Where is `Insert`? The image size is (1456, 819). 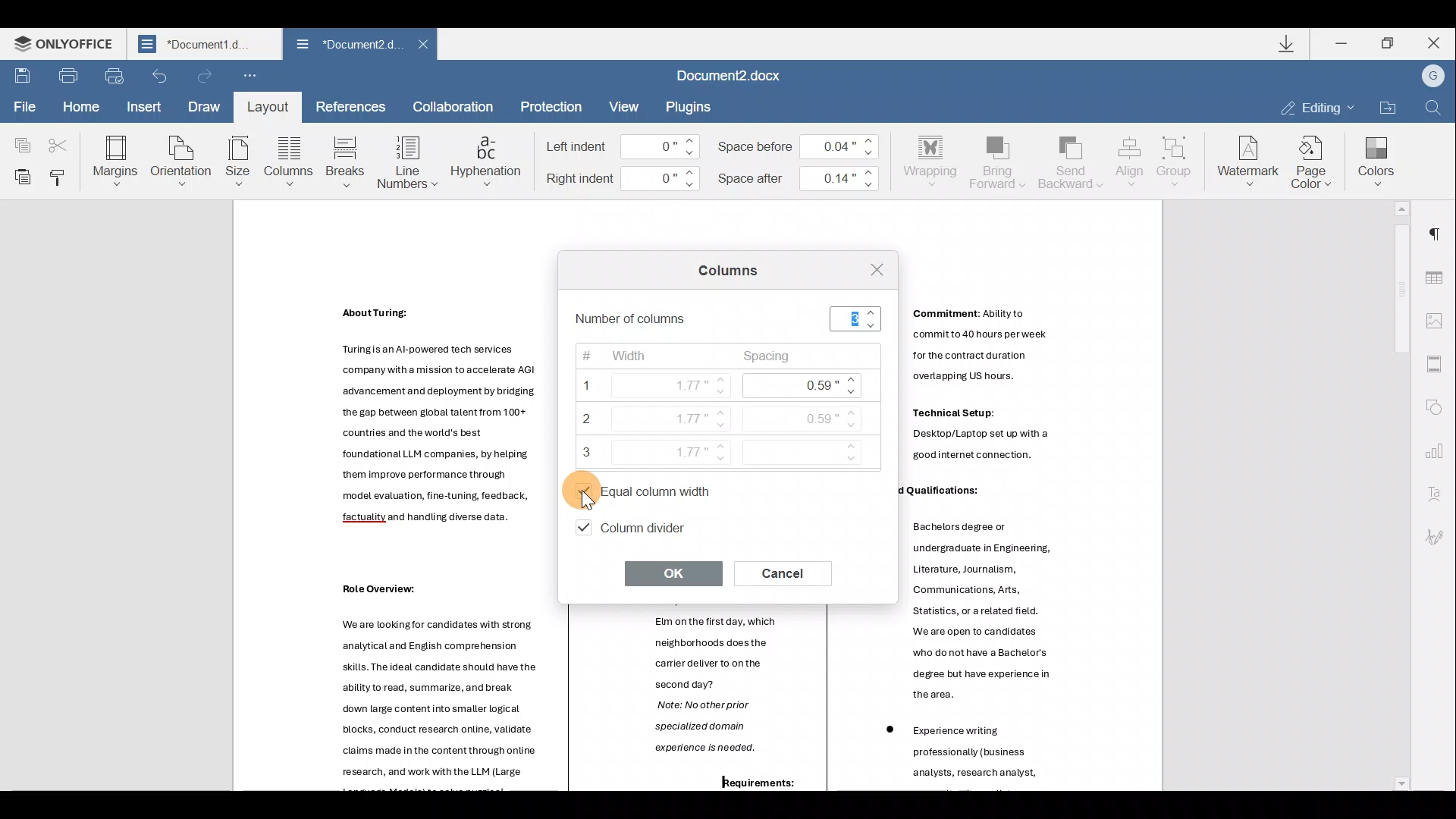 Insert is located at coordinates (141, 107).